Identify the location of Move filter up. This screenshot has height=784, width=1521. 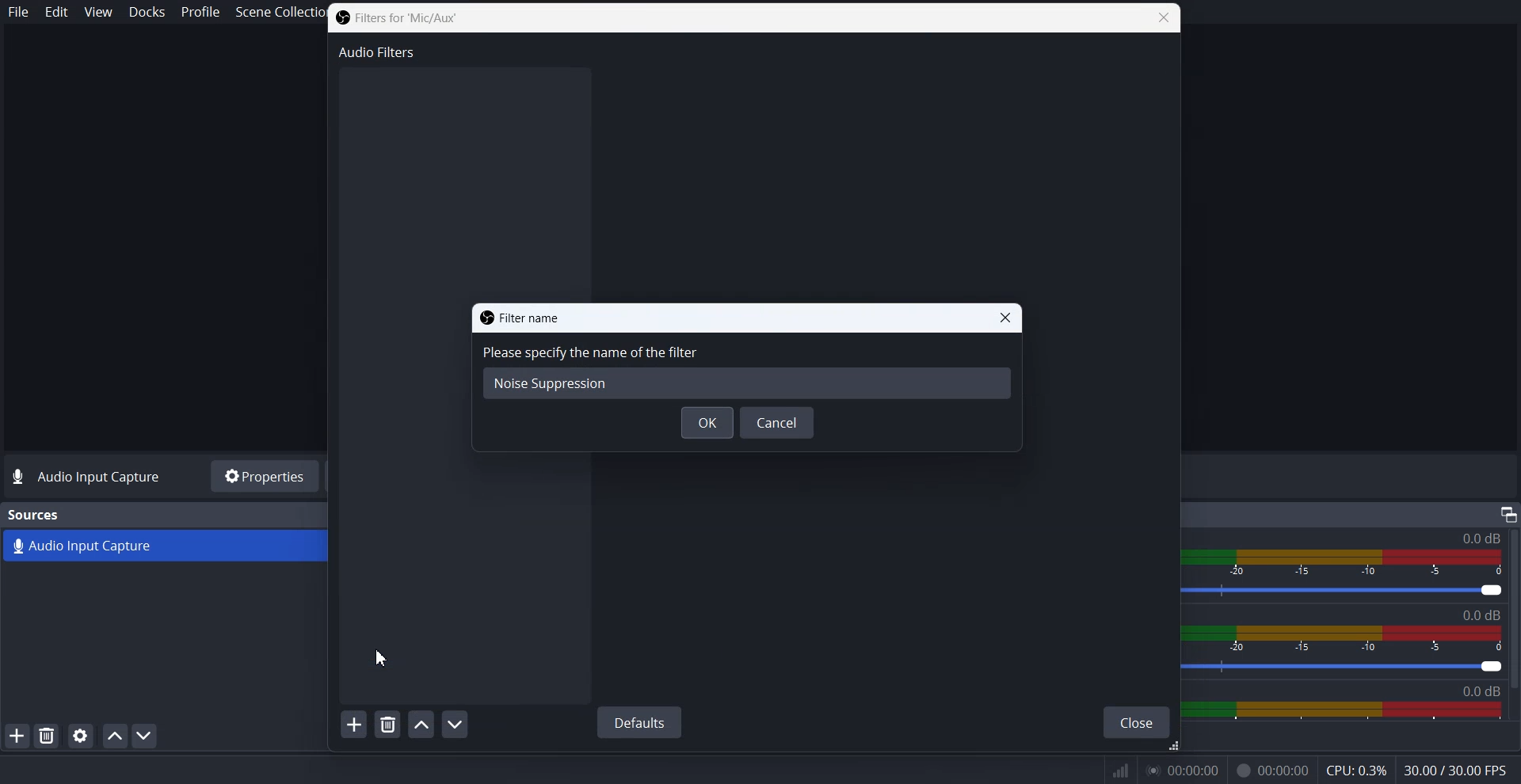
(421, 725).